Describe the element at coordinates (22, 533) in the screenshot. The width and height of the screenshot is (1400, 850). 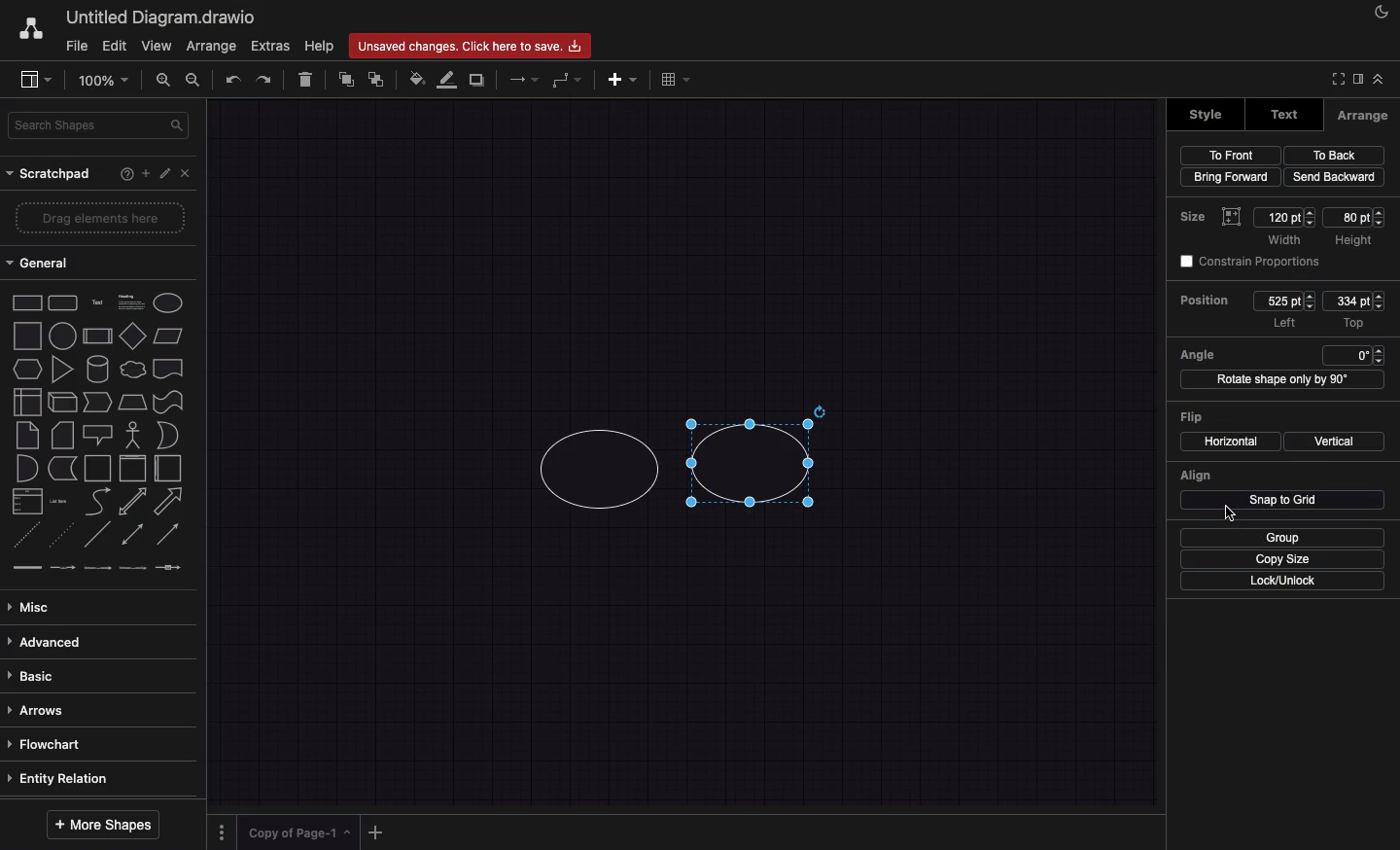
I see `dashed line` at that location.